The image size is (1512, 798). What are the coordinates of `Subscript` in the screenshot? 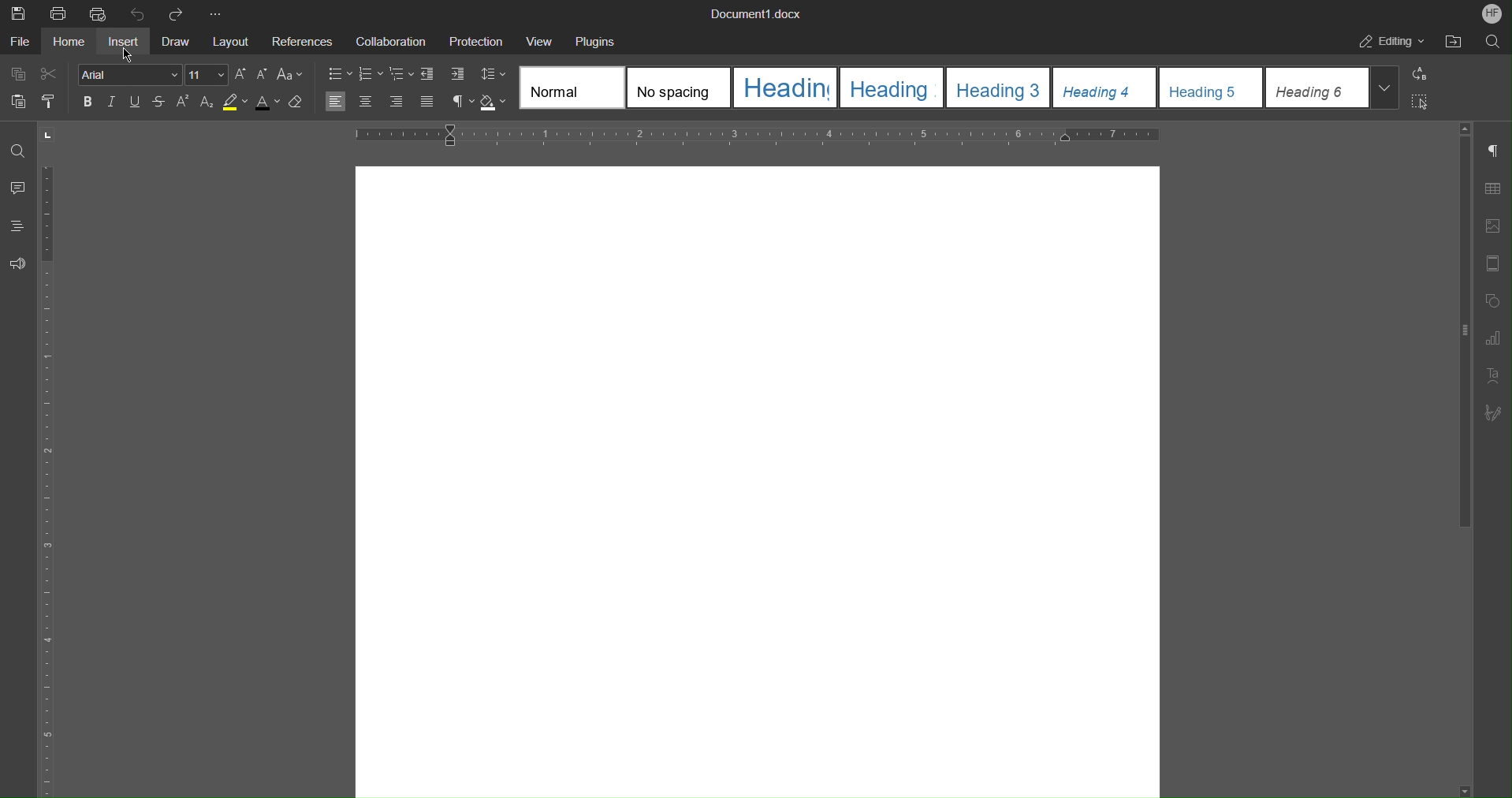 It's located at (206, 103).